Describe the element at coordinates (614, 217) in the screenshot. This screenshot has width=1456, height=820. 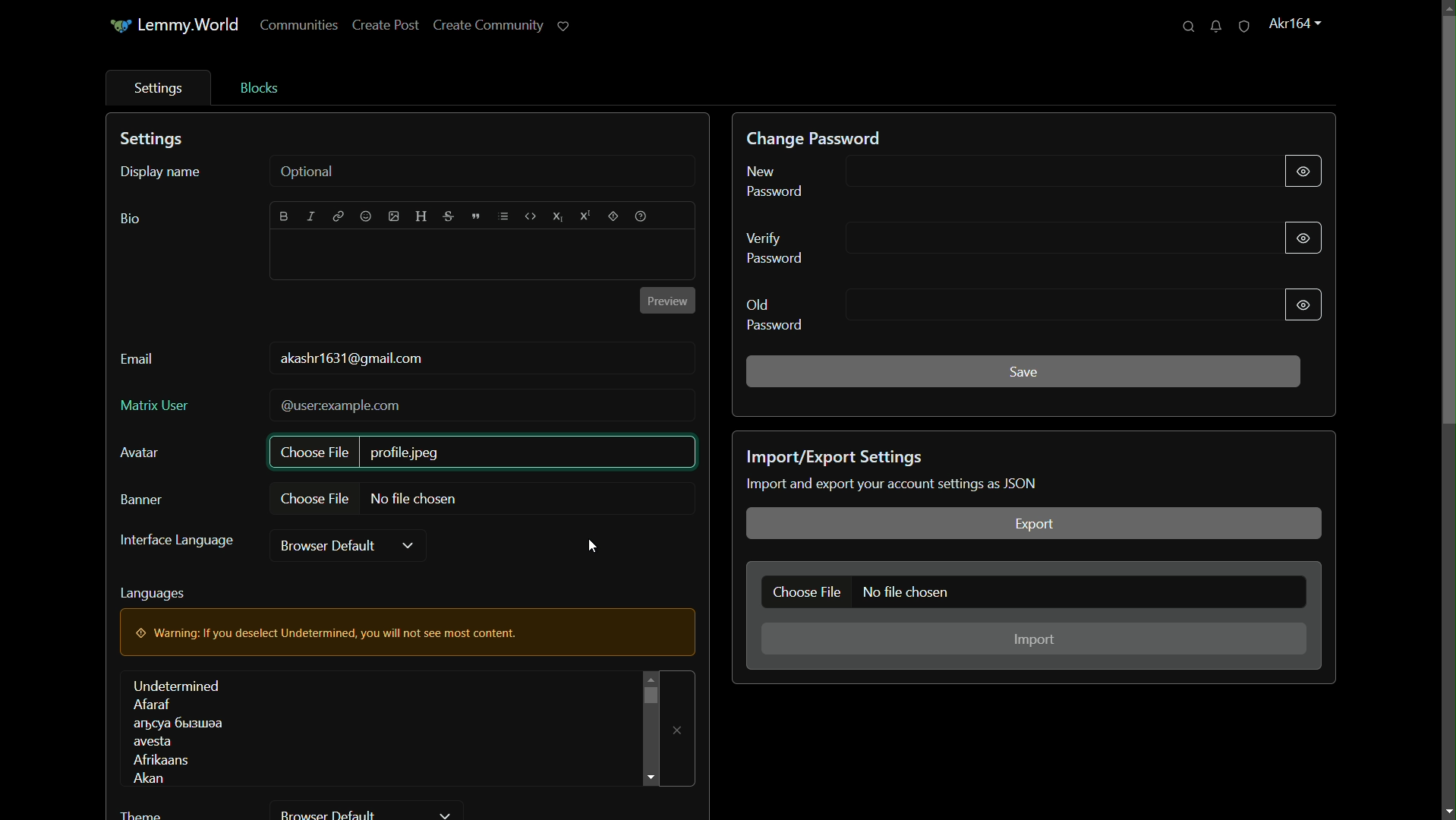
I see `spoiler` at that location.